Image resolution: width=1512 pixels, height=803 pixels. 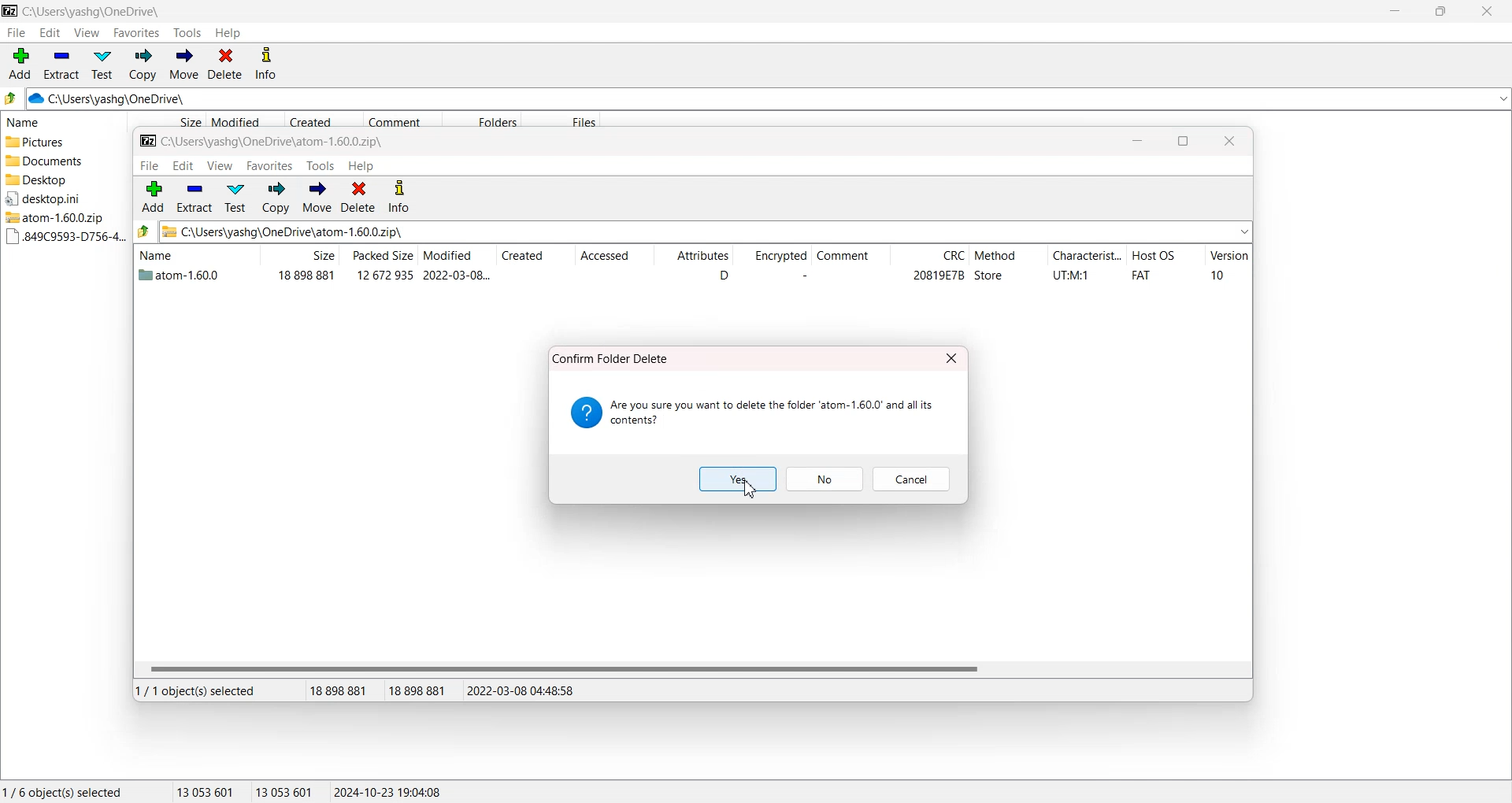 What do you see at coordinates (389, 791) in the screenshot?
I see `2024-10-23 19:04:08` at bounding box center [389, 791].